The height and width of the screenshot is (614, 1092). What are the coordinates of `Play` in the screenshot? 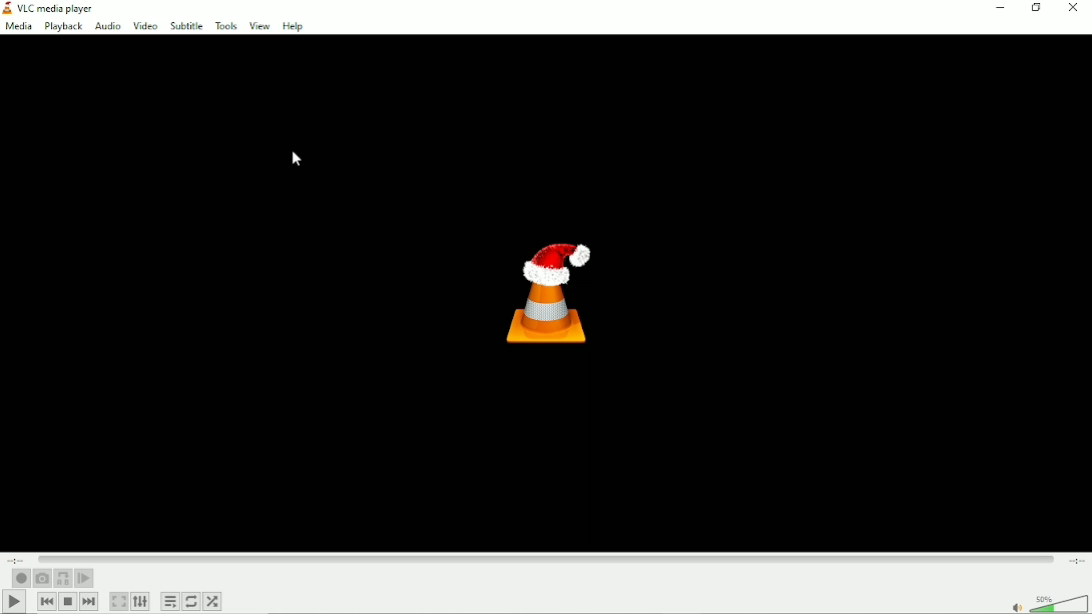 It's located at (14, 602).